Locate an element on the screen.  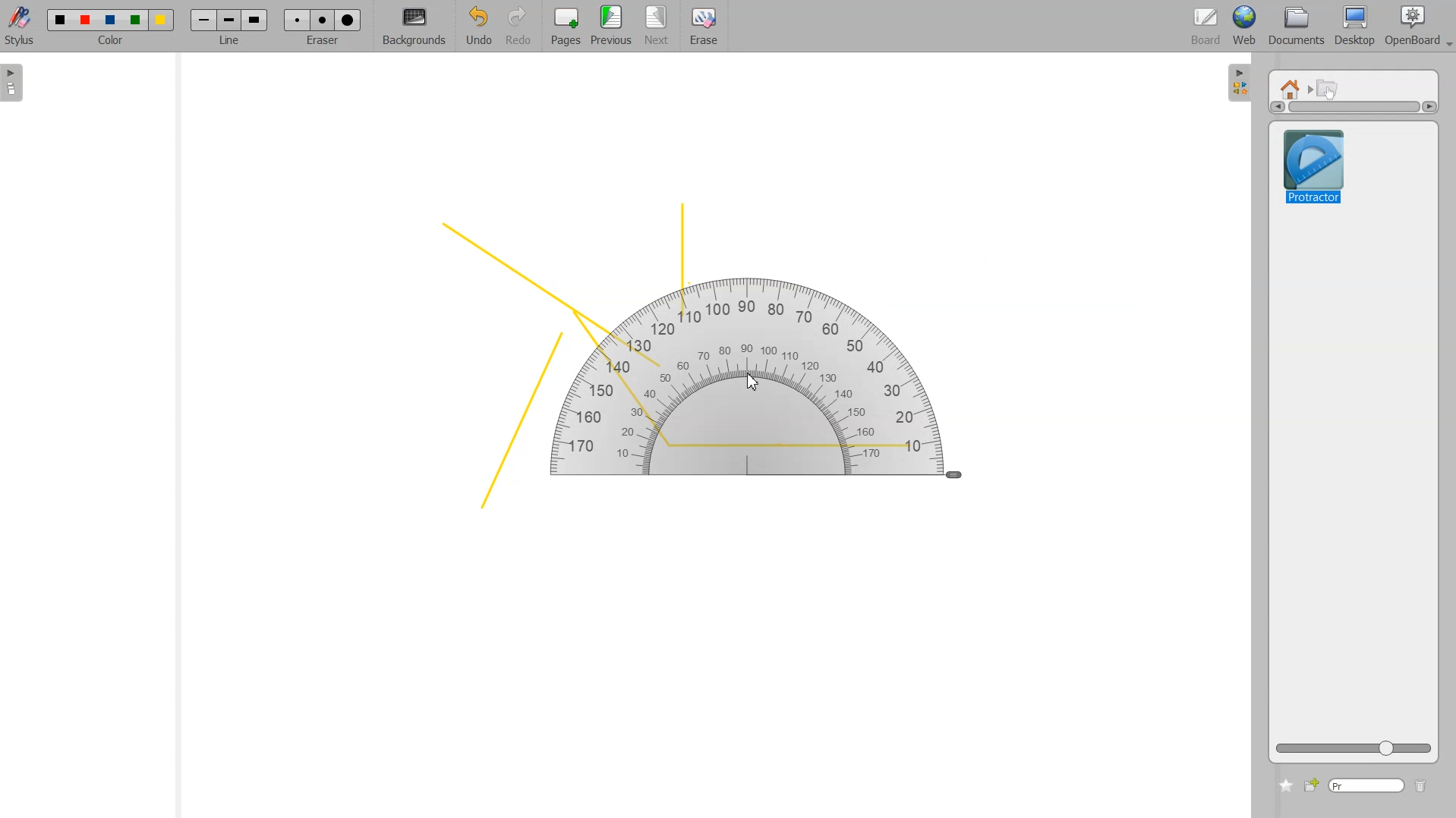
Vertical scrollbar is located at coordinates (1354, 107).